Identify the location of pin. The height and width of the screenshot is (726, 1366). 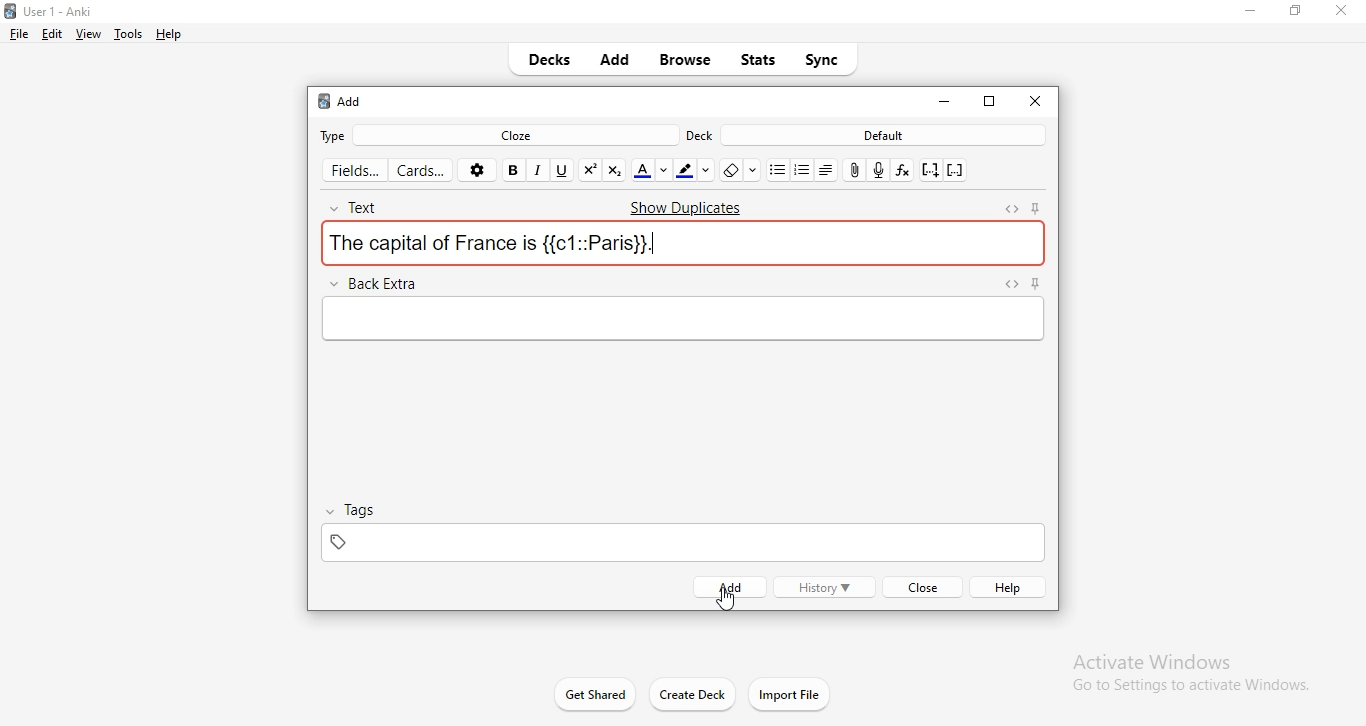
(1041, 207).